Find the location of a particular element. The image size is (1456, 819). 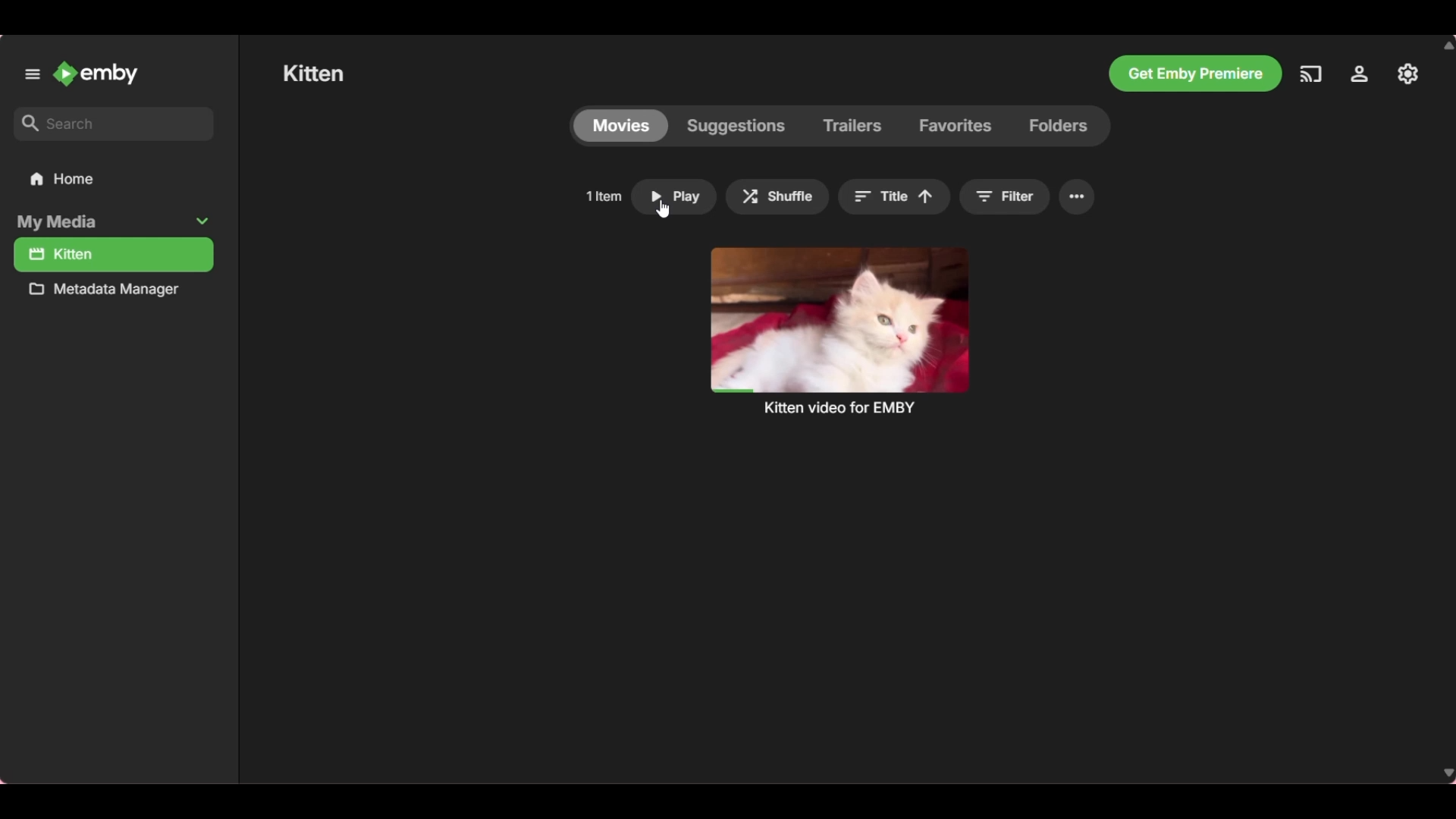

Title is located at coordinates (893, 196).